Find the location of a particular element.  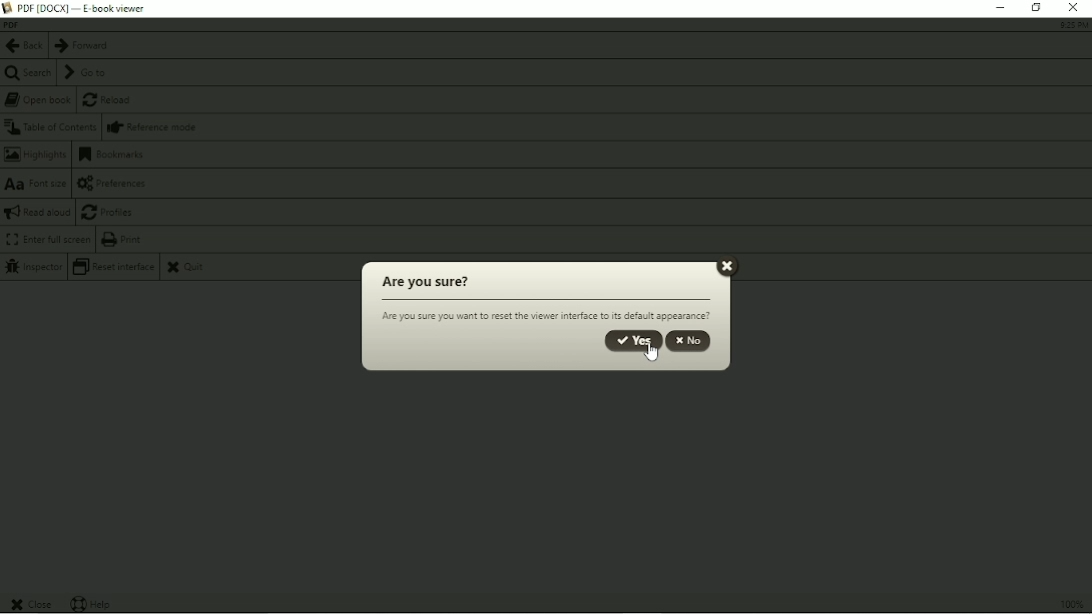

Search is located at coordinates (27, 73).